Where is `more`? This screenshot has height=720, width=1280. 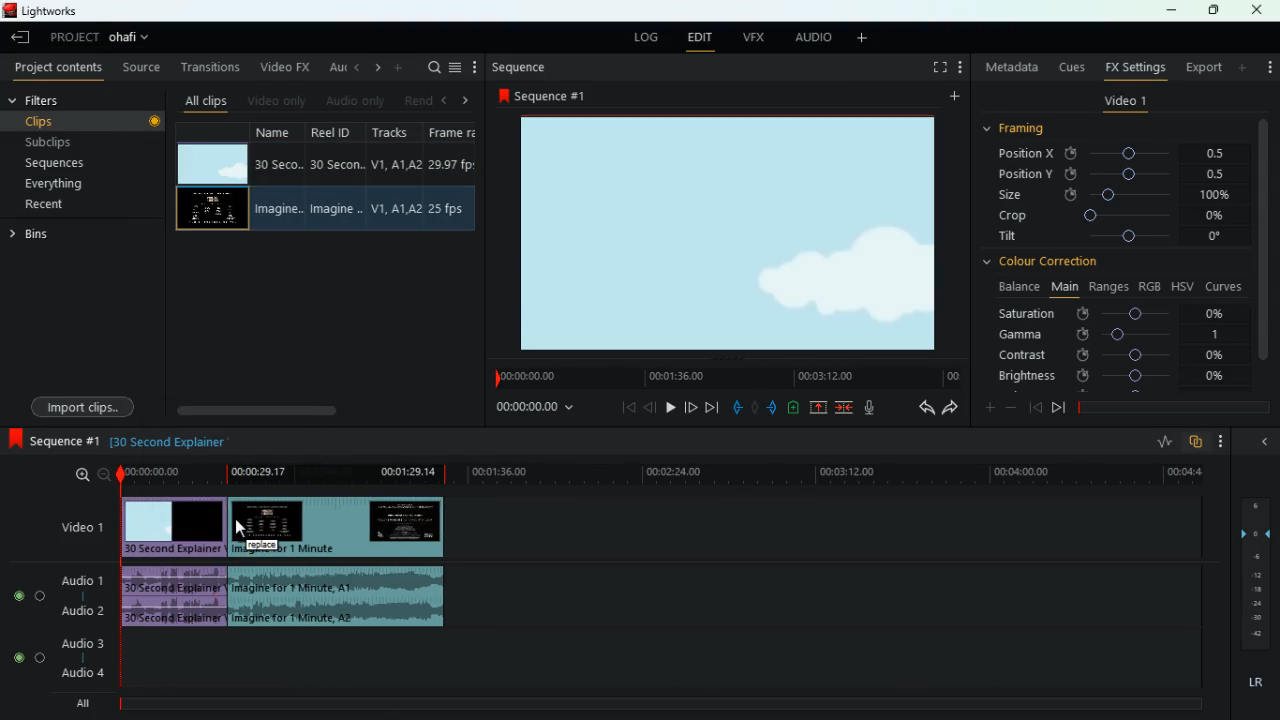 more is located at coordinates (400, 67).